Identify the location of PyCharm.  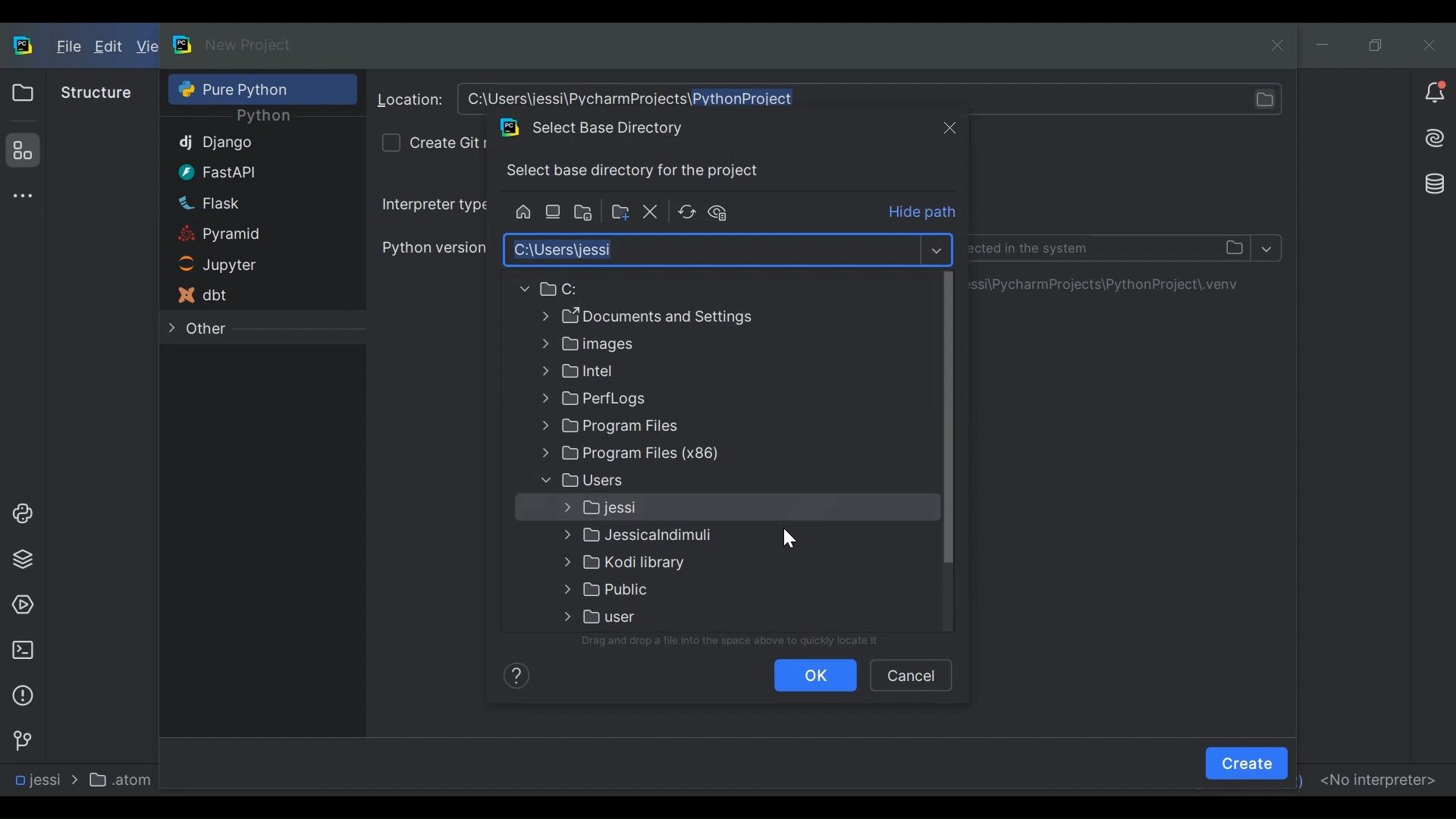
(184, 44).